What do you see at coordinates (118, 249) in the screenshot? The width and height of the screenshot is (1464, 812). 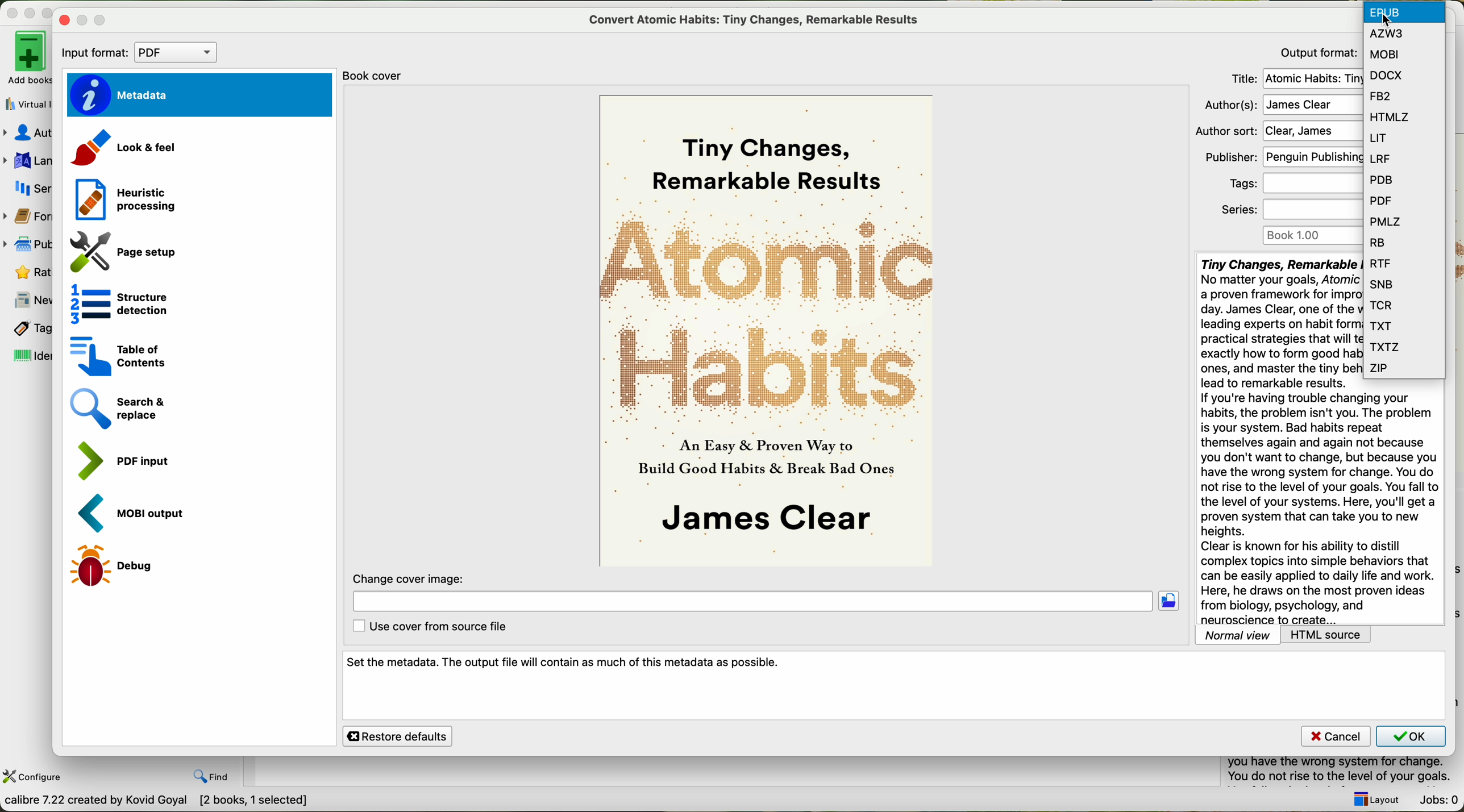 I see `page setup` at bounding box center [118, 249].